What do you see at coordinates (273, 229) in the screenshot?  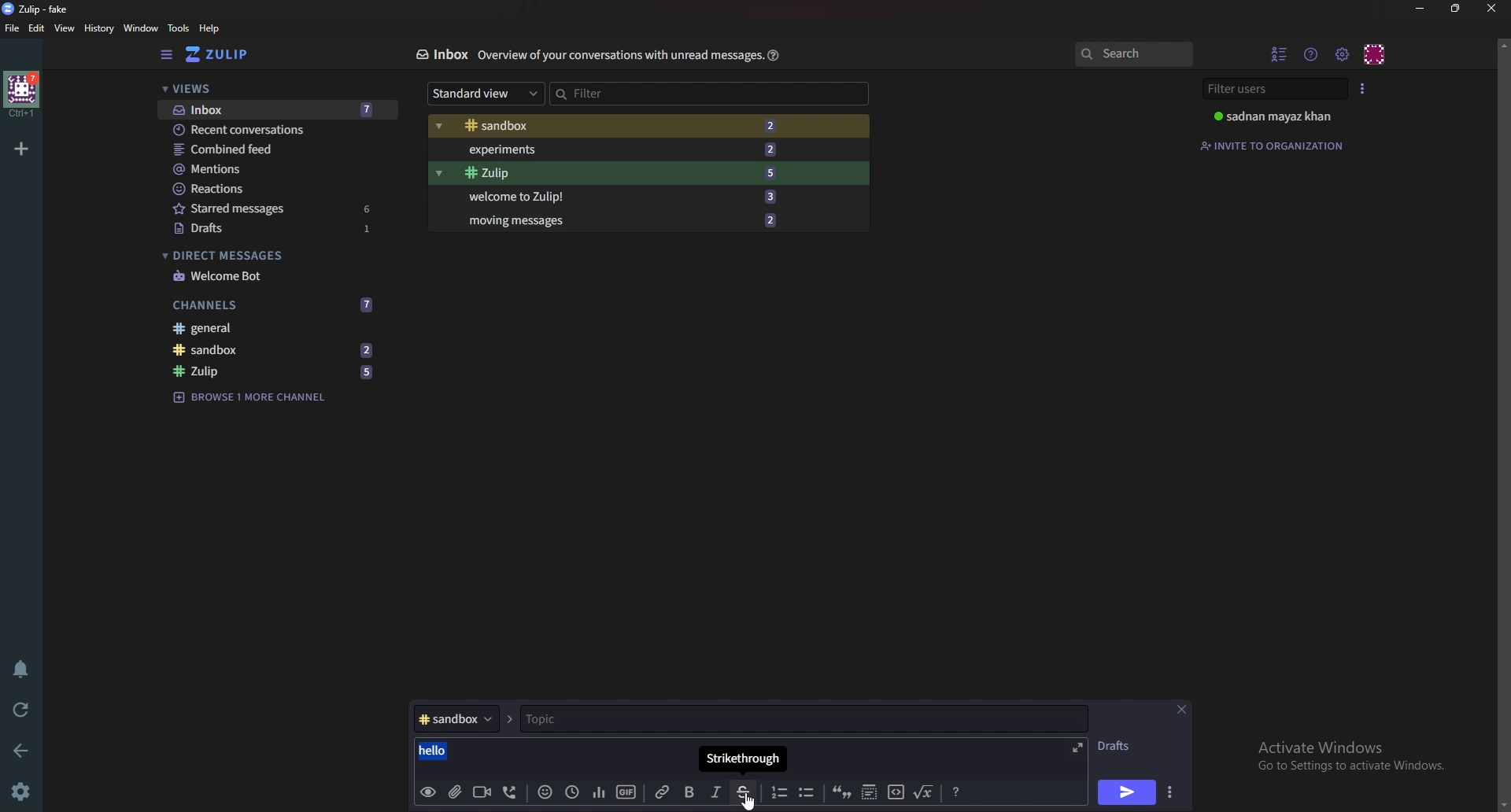 I see `Drafts` at bounding box center [273, 229].